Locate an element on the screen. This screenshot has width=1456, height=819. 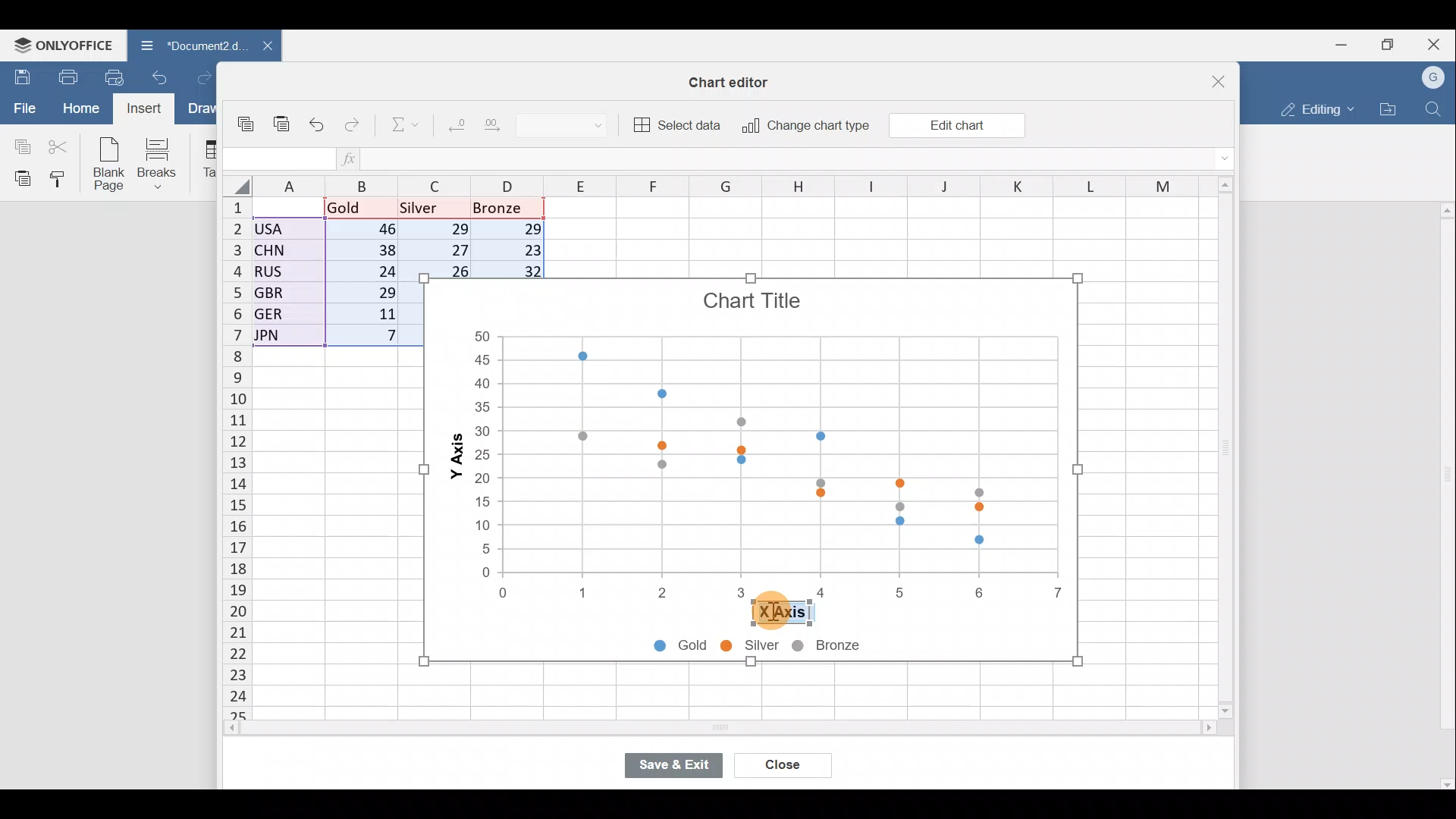
Draw is located at coordinates (201, 108).